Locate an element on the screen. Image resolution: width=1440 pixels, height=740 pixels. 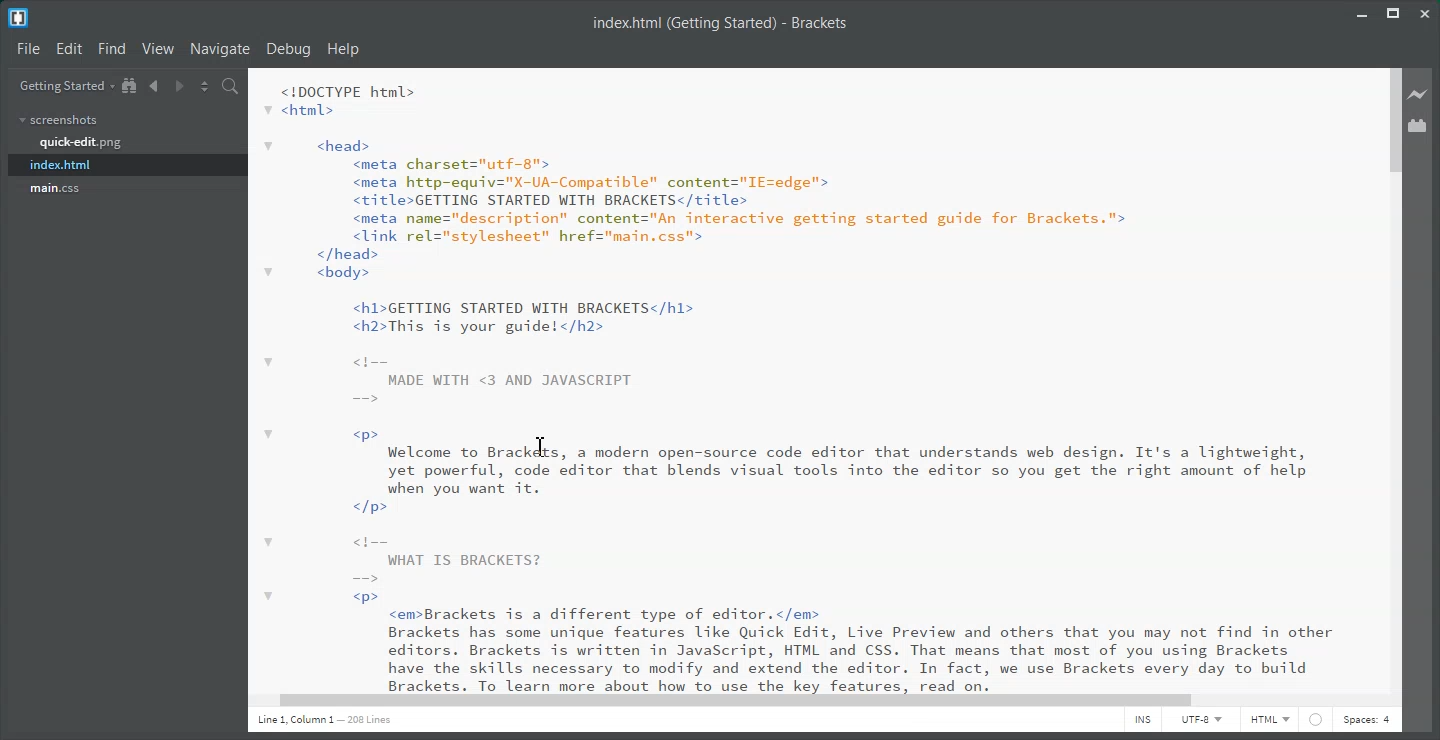
screenshots is located at coordinates (60, 120).